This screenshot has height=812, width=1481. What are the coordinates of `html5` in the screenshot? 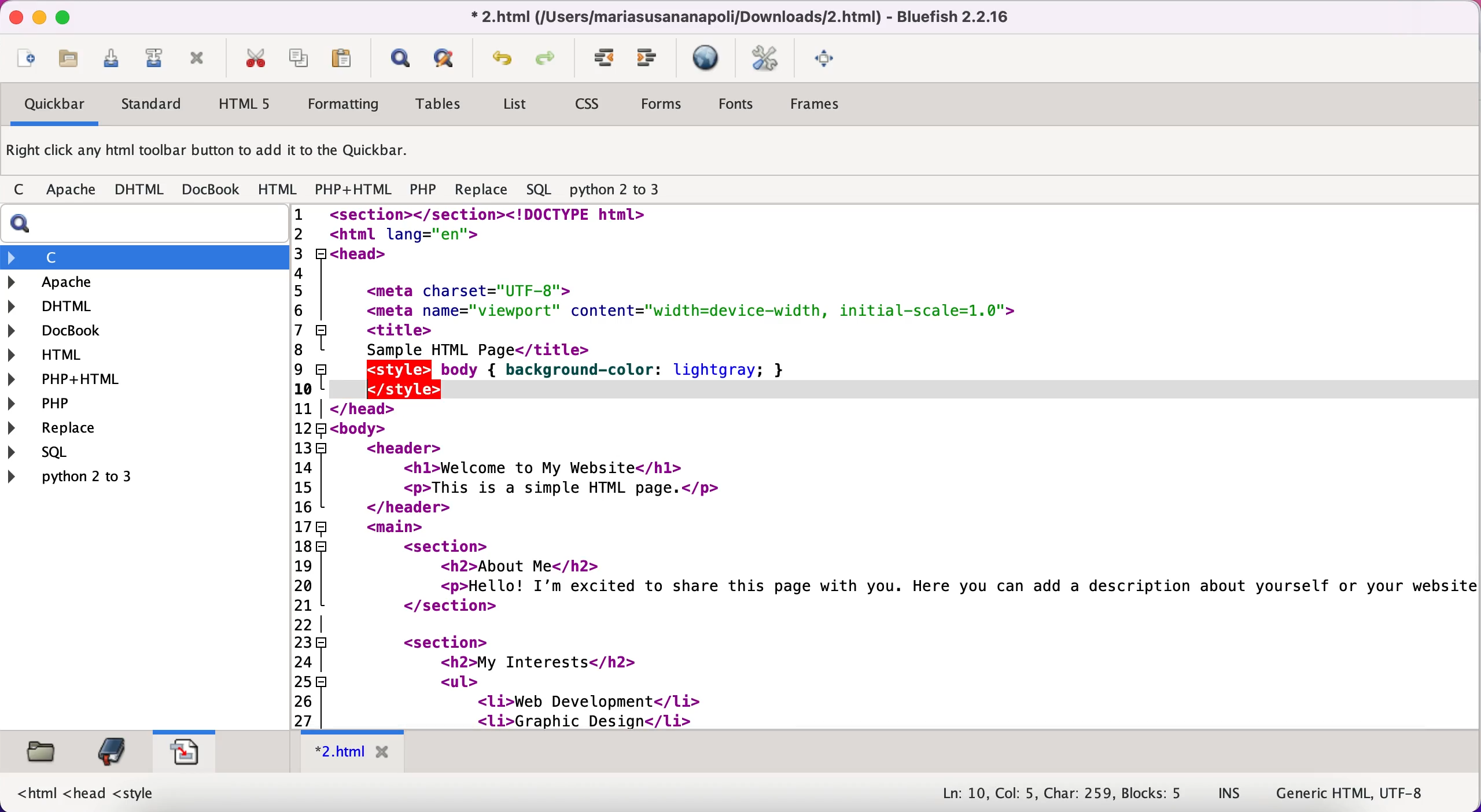 It's located at (242, 104).